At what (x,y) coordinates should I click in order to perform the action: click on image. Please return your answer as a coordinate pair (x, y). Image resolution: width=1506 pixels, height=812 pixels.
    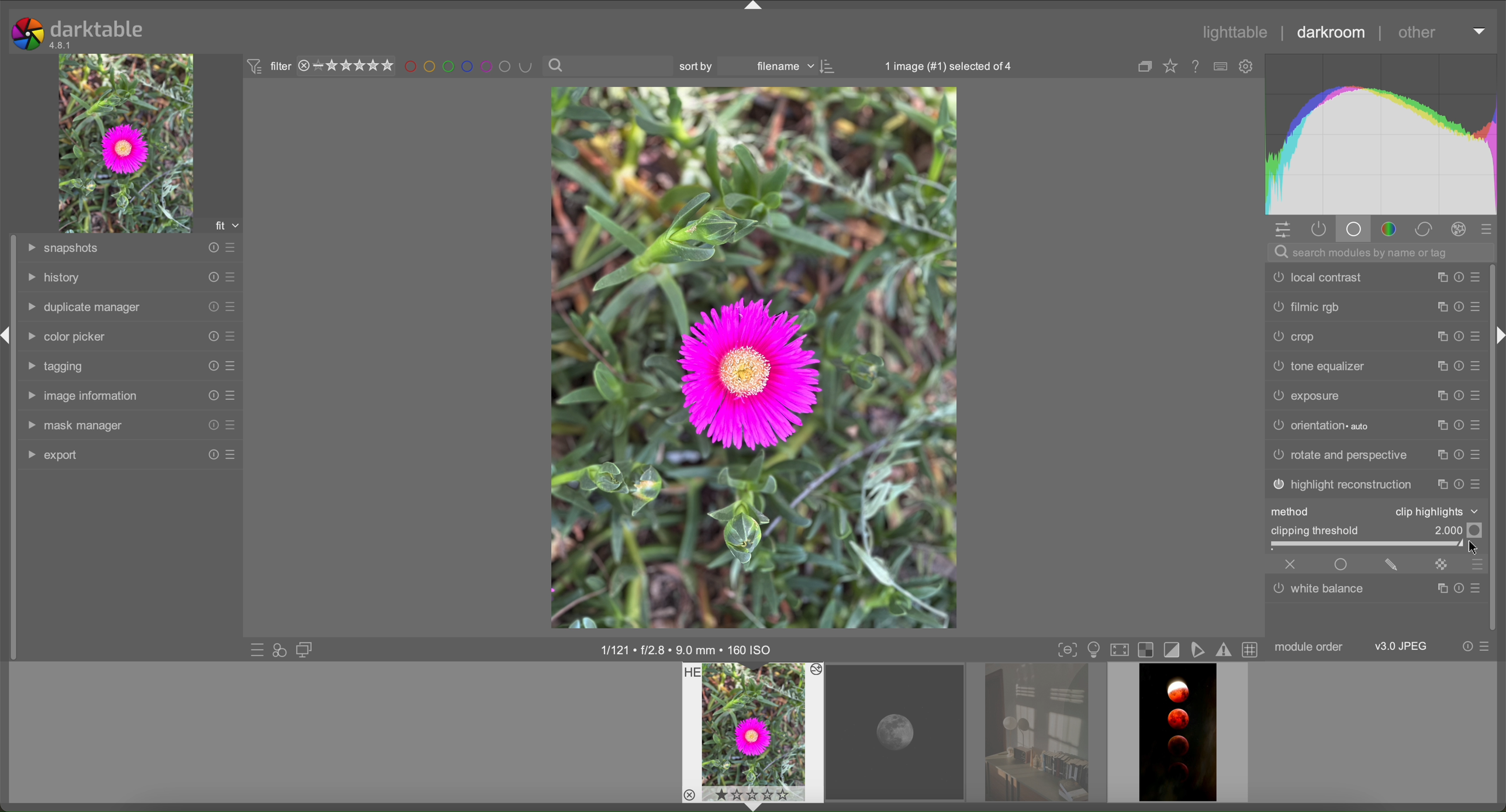
    Looking at the image, I should click on (128, 143).